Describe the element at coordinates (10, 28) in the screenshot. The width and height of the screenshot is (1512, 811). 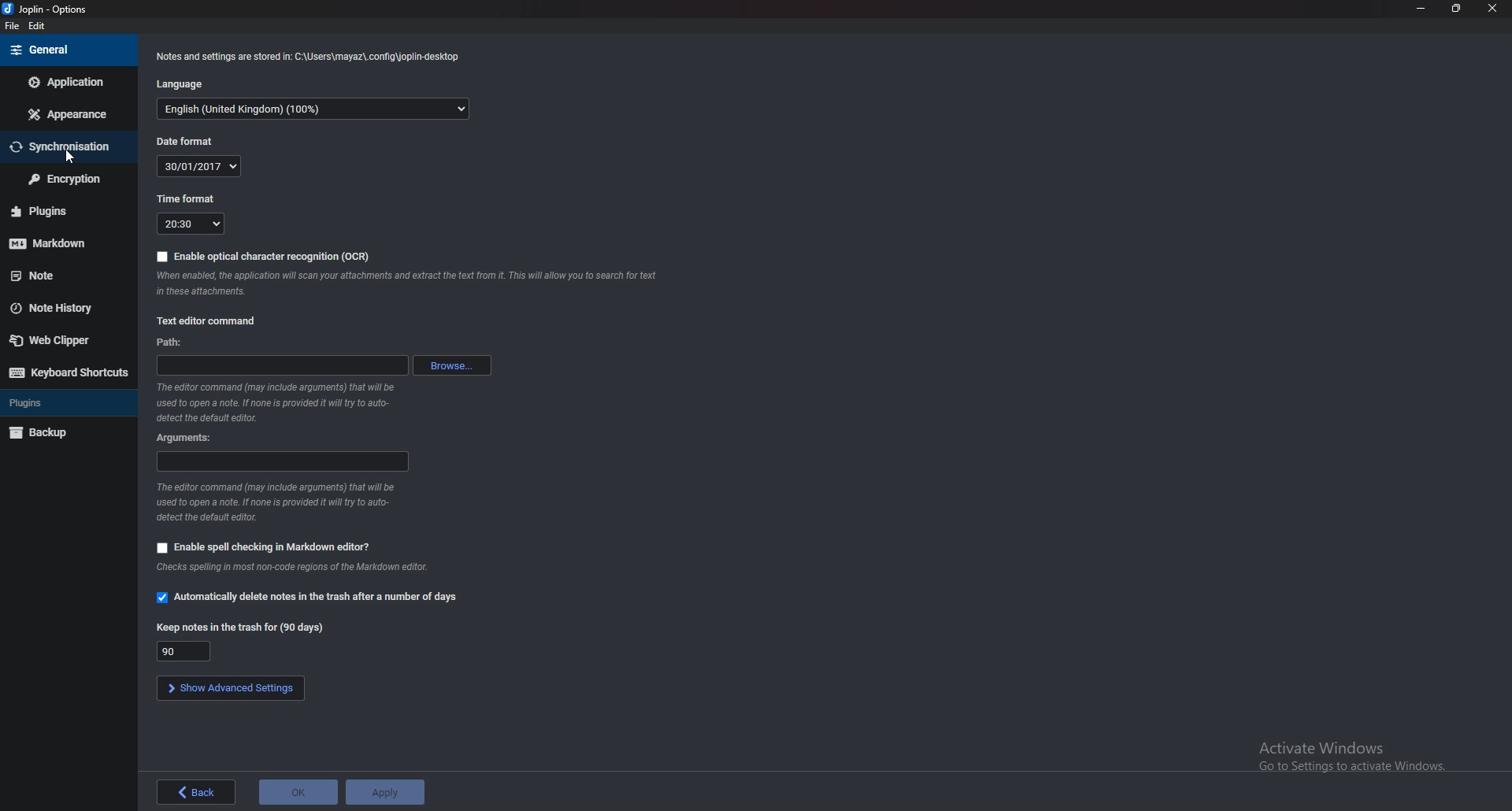
I see `file` at that location.